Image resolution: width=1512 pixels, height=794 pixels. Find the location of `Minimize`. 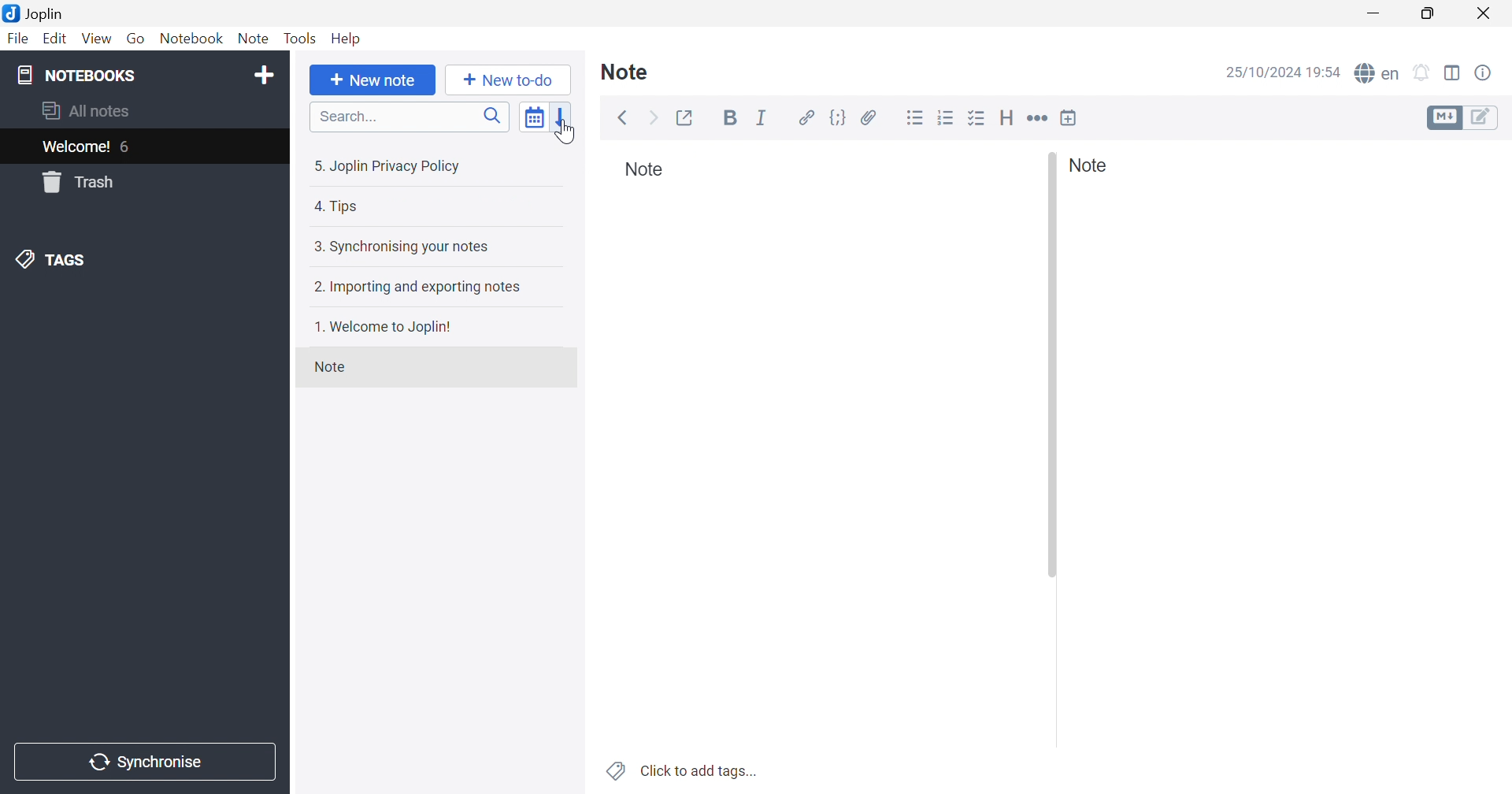

Minimize is located at coordinates (1374, 13).